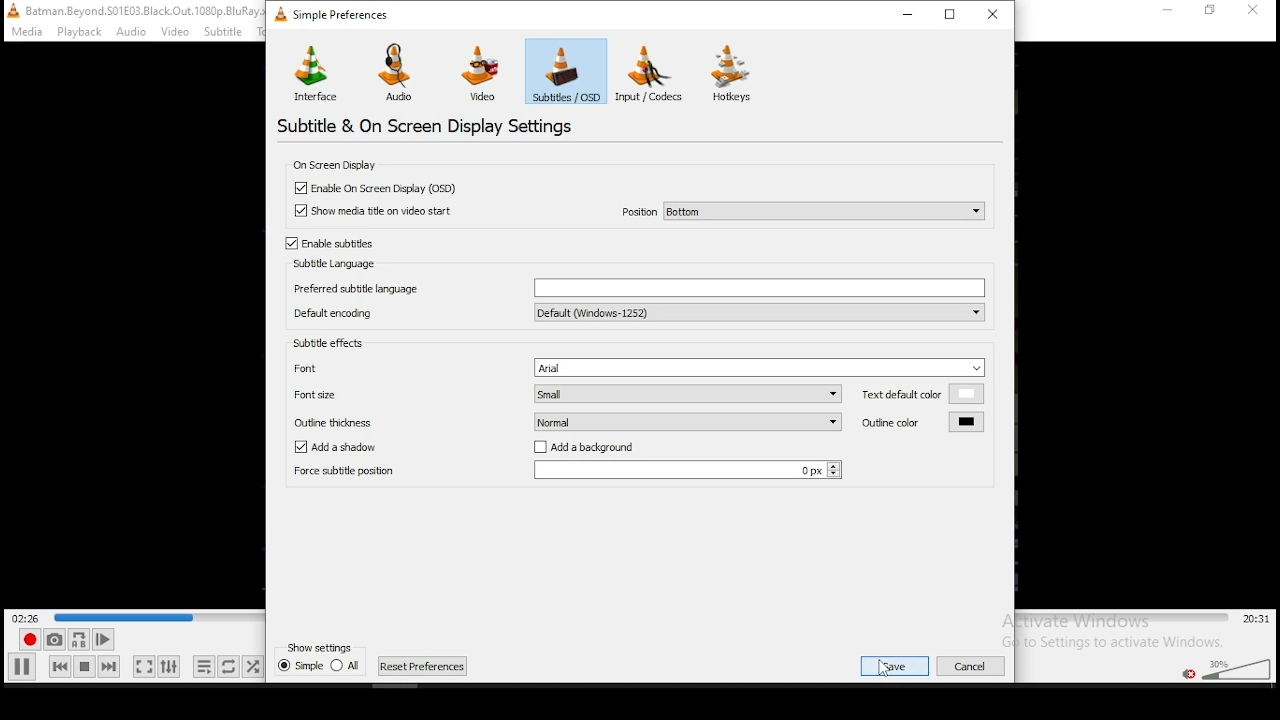 The height and width of the screenshot is (720, 1280). Describe the element at coordinates (377, 212) in the screenshot. I see `checkbox: show media title on video start` at that location.